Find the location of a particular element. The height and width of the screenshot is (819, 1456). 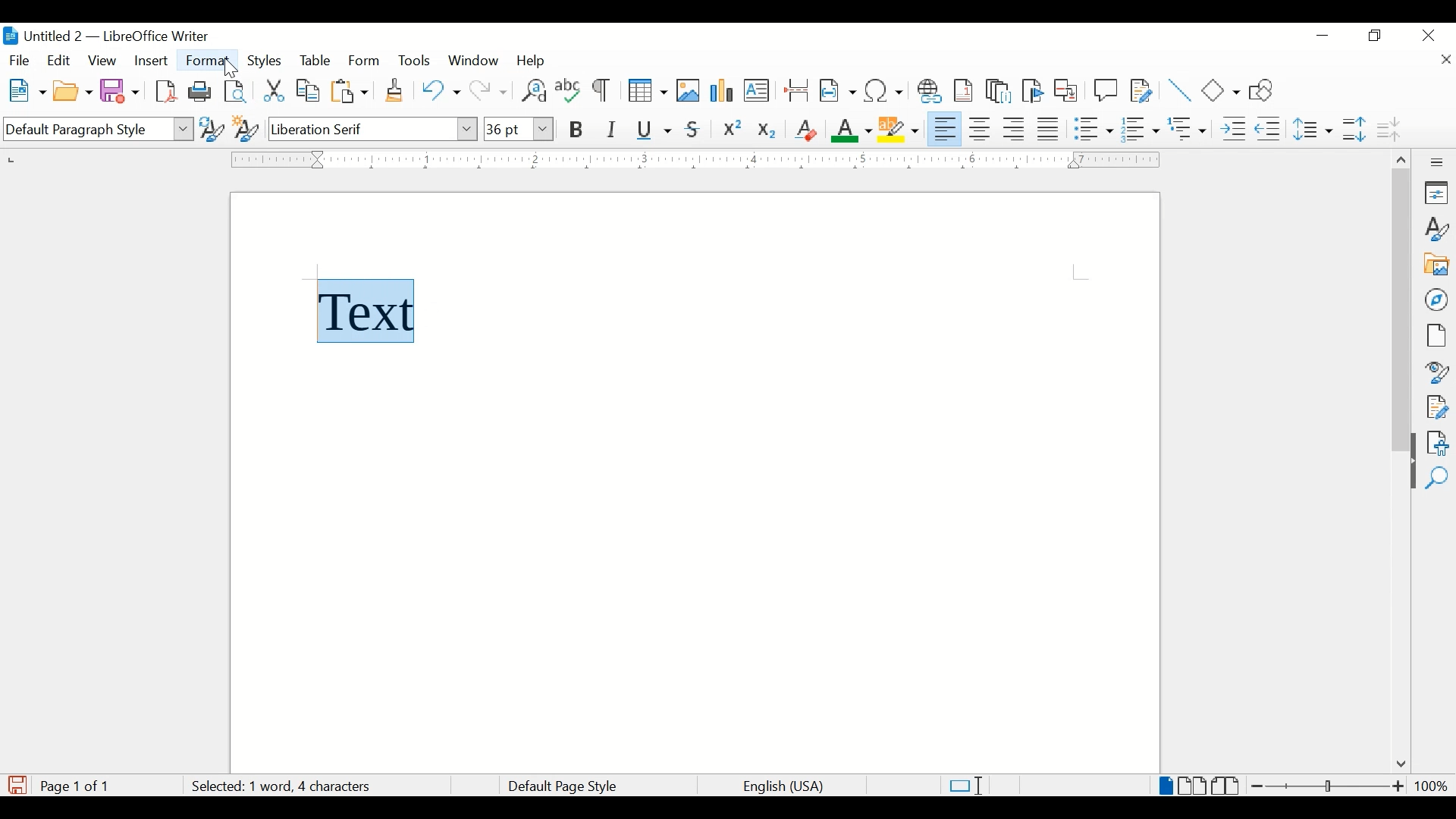

gallery is located at coordinates (1437, 265).